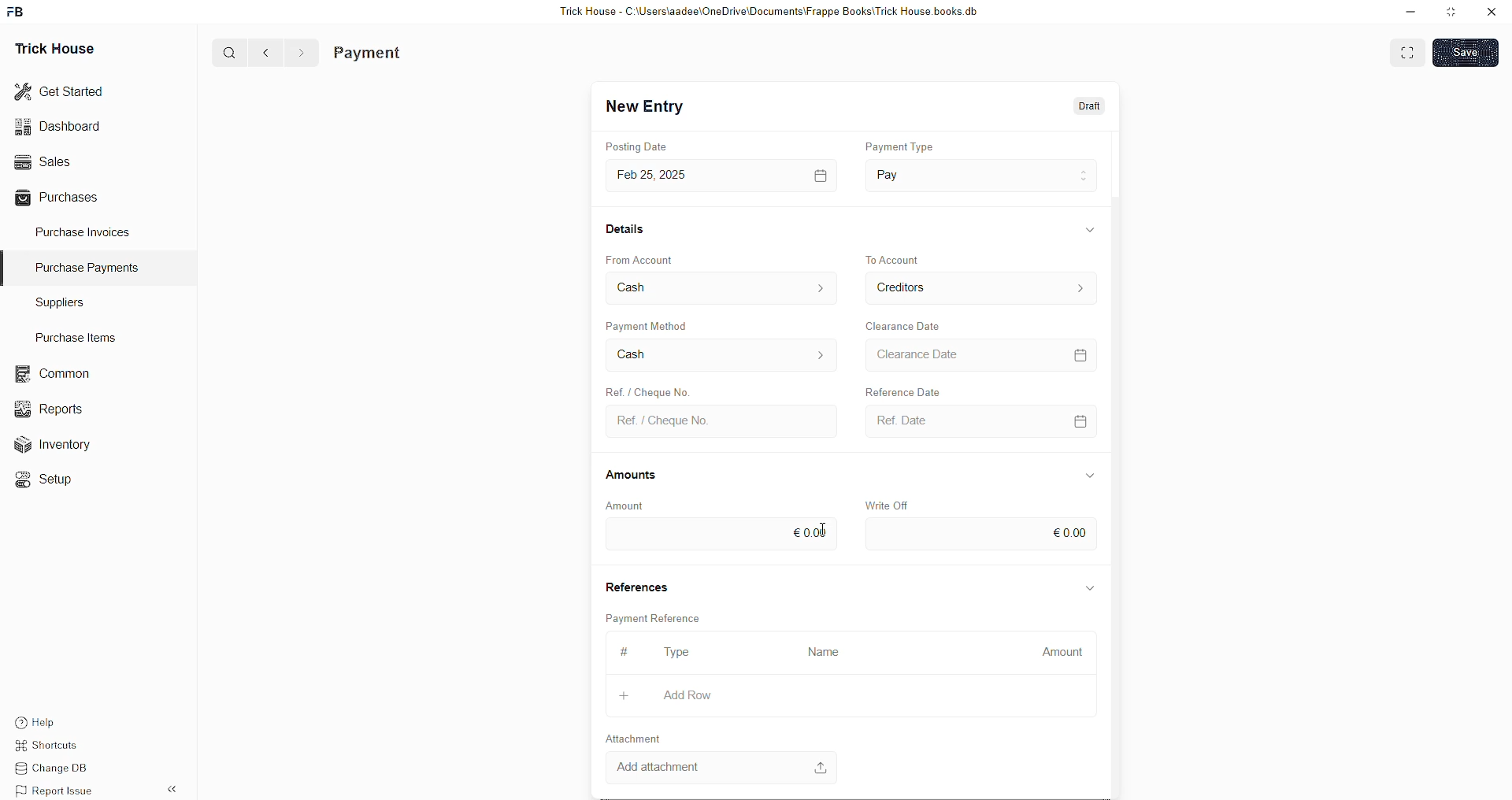  What do you see at coordinates (916, 326) in the screenshot?
I see `Clearance Date` at bounding box center [916, 326].